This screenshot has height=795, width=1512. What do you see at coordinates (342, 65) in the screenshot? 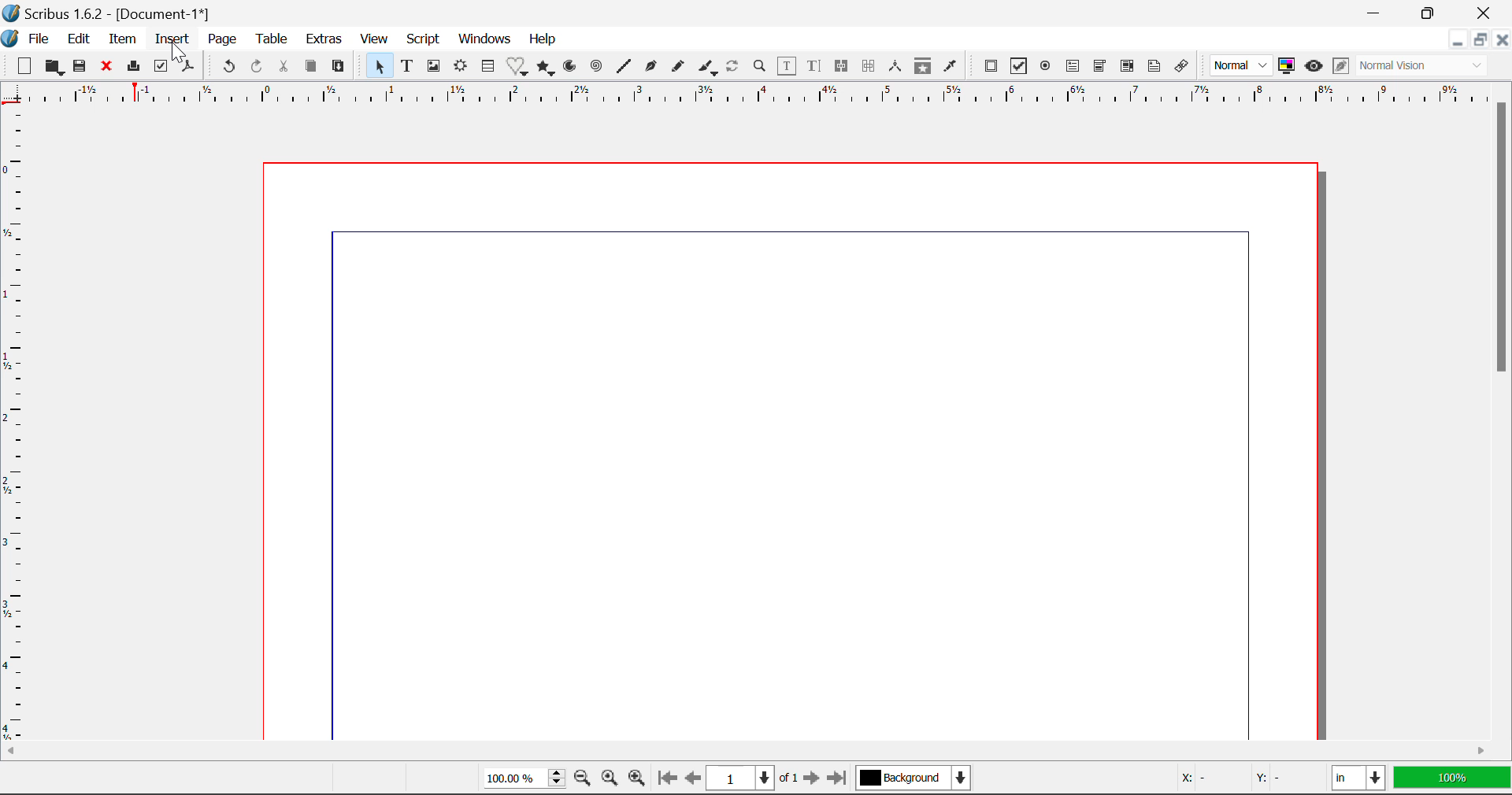
I see `Paste` at bounding box center [342, 65].